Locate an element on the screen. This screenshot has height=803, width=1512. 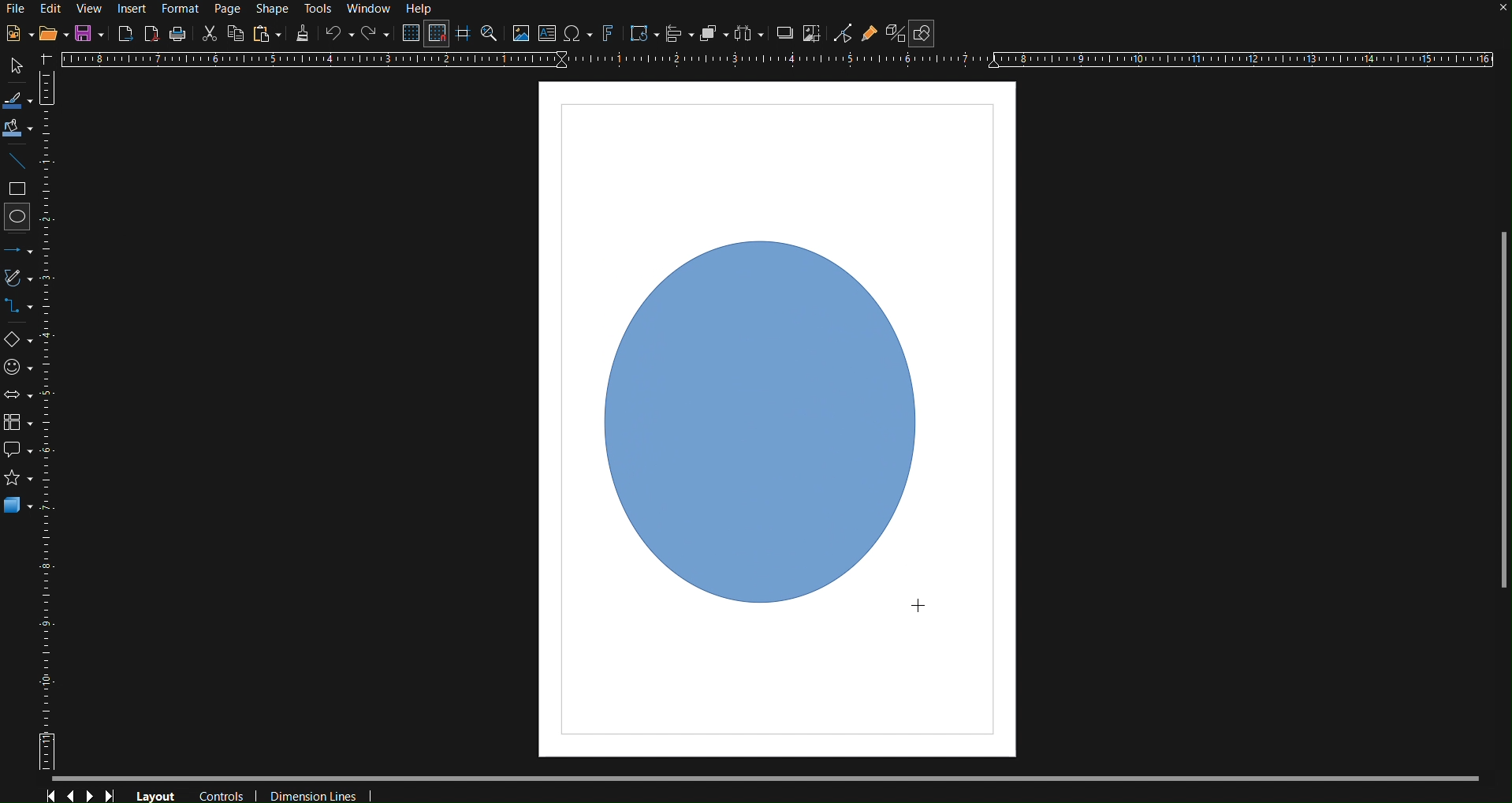
Vertical Ruler is located at coordinates (56, 429).